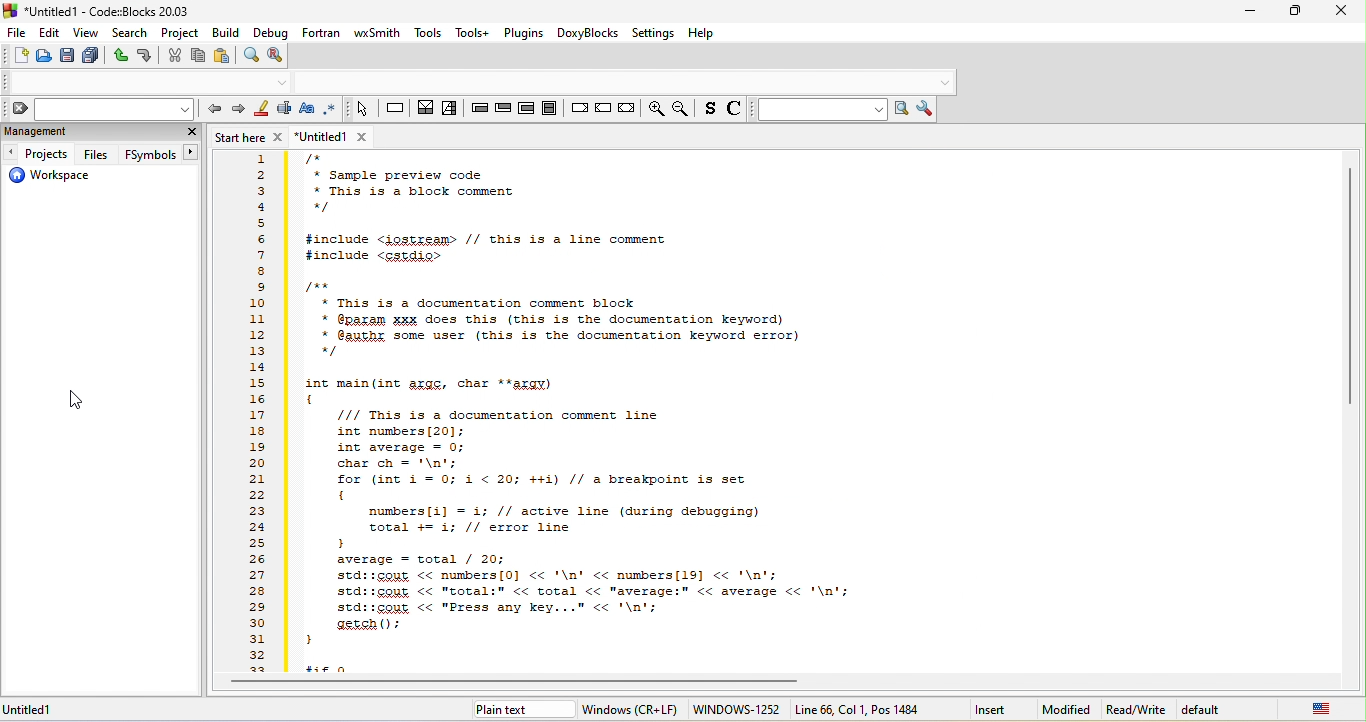 This screenshot has width=1366, height=722. I want to click on highlight, so click(261, 111).